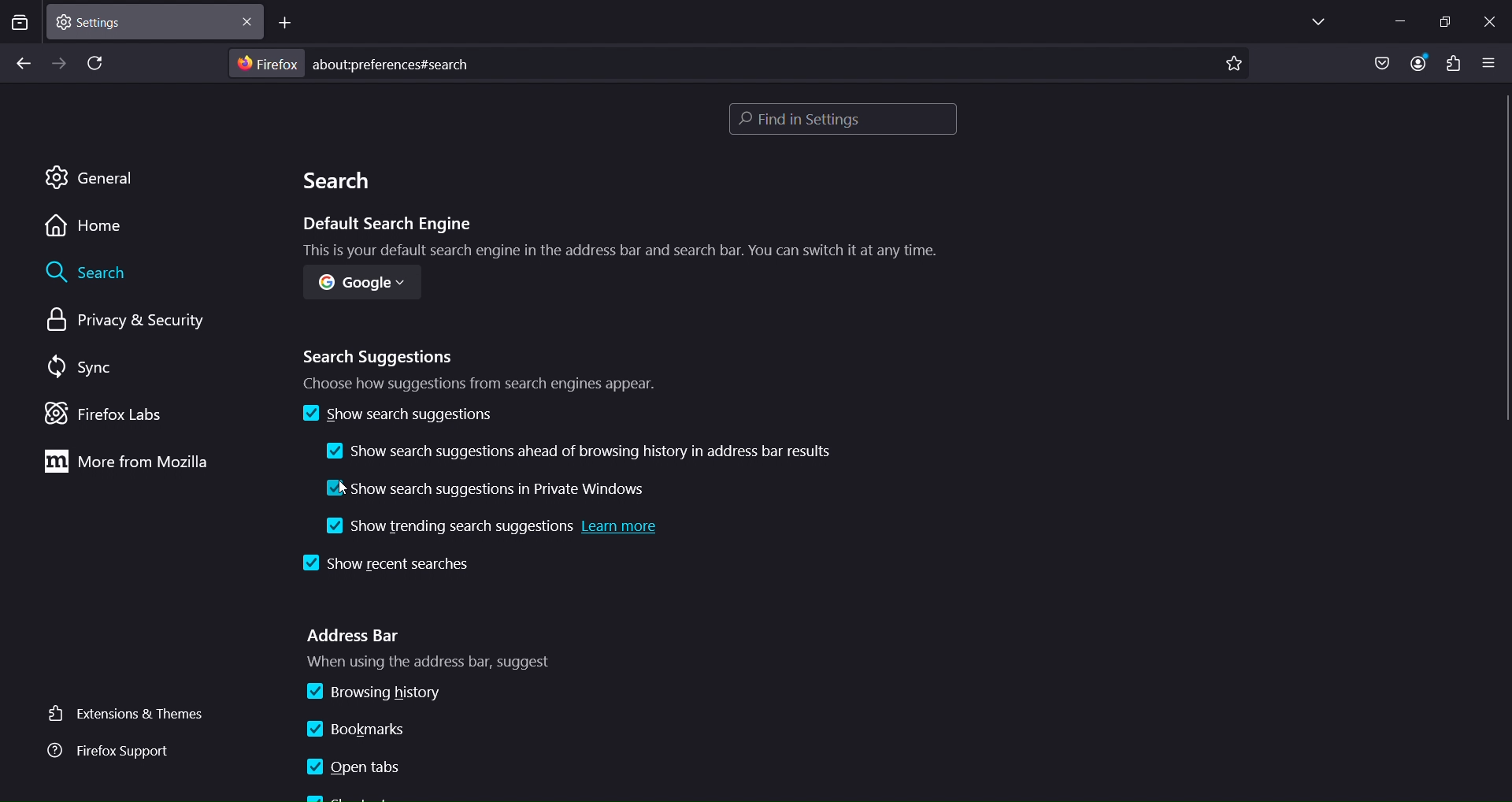  I want to click on find in settings, so click(843, 121).